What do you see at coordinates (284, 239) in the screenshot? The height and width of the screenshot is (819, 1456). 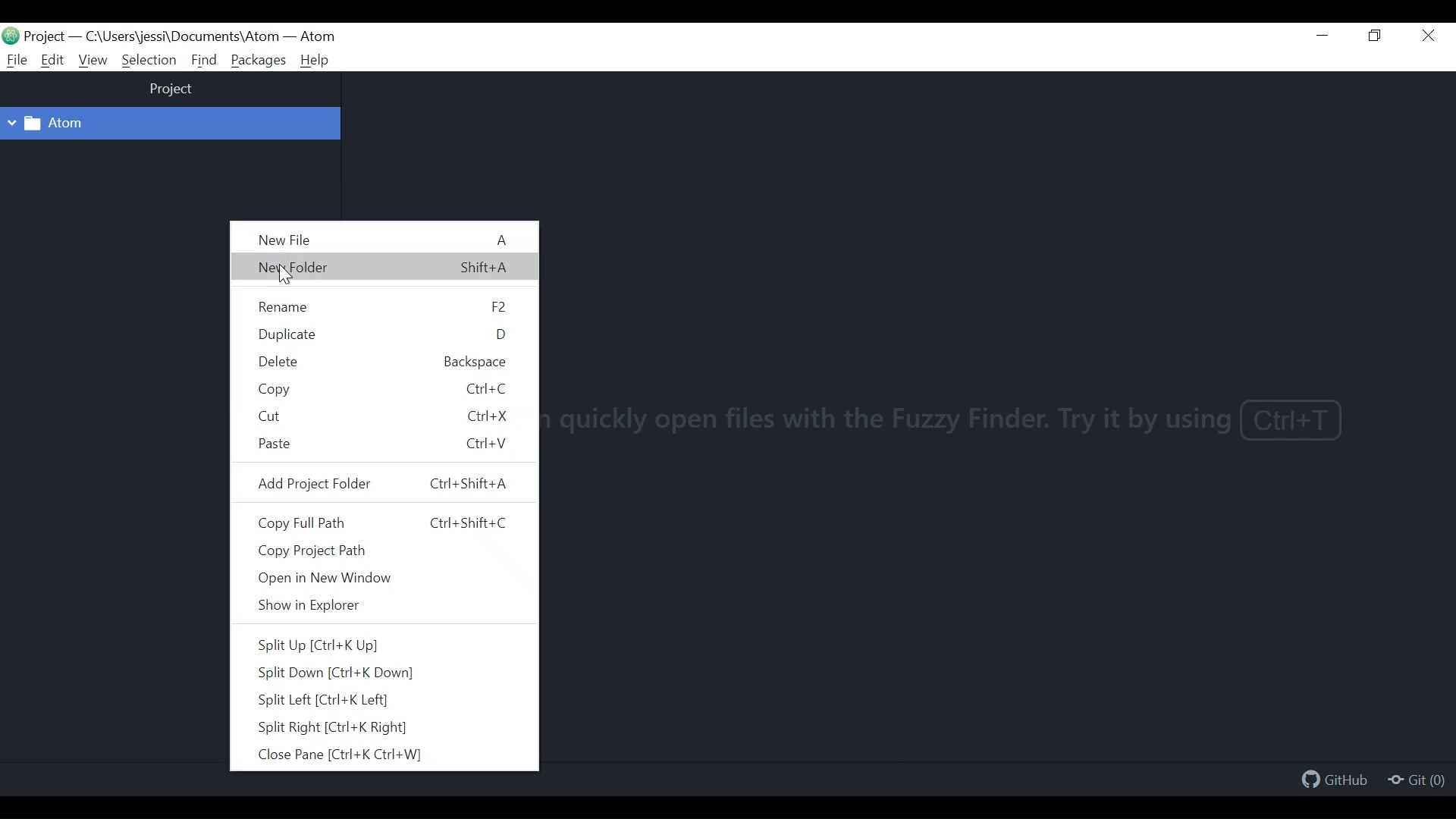 I see `New File` at bounding box center [284, 239].